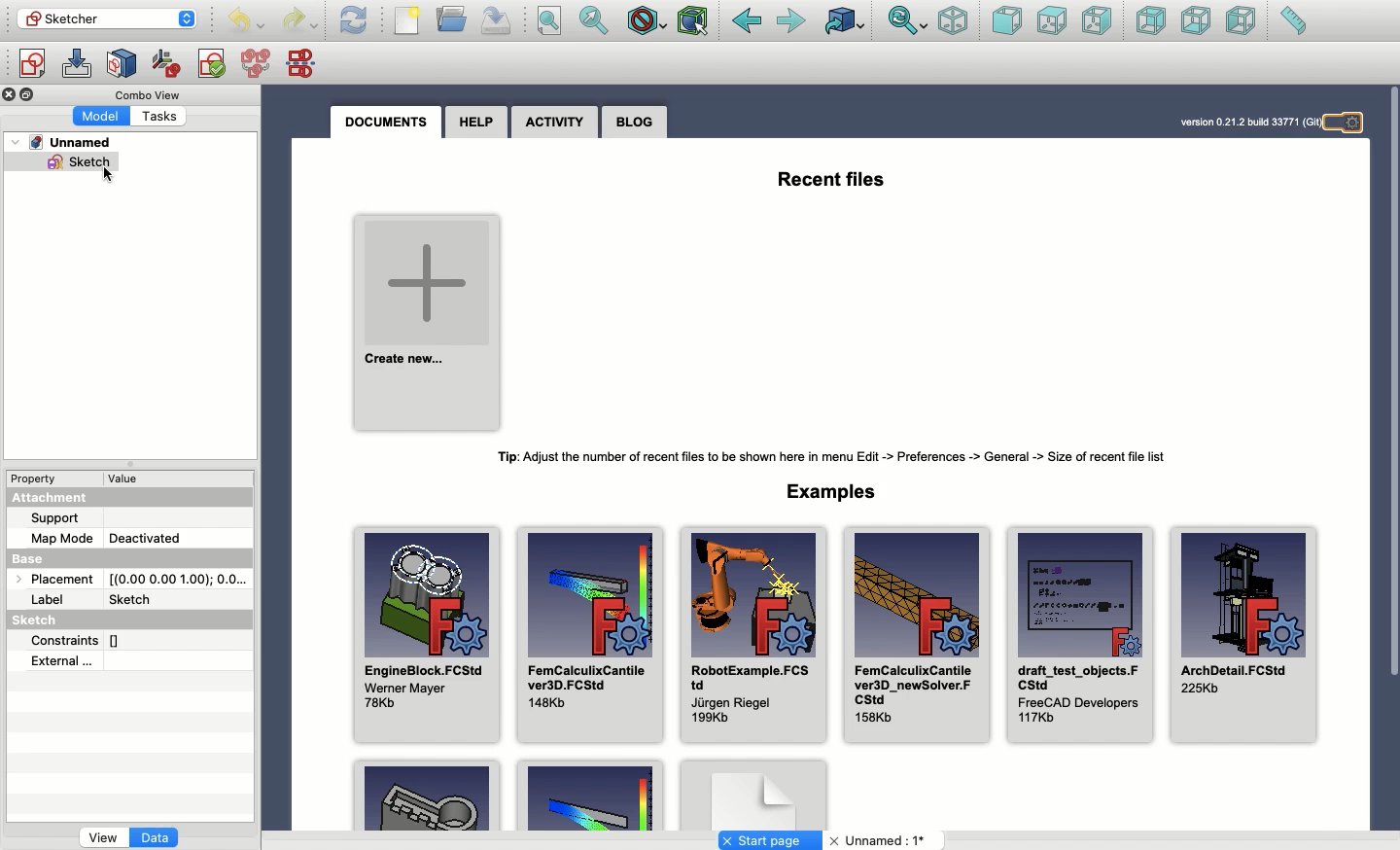 Image resolution: width=1400 pixels, height=850 pixels. Describe the element at coordinates (636, 122) in the screenshot. I see `Blog` at that location.